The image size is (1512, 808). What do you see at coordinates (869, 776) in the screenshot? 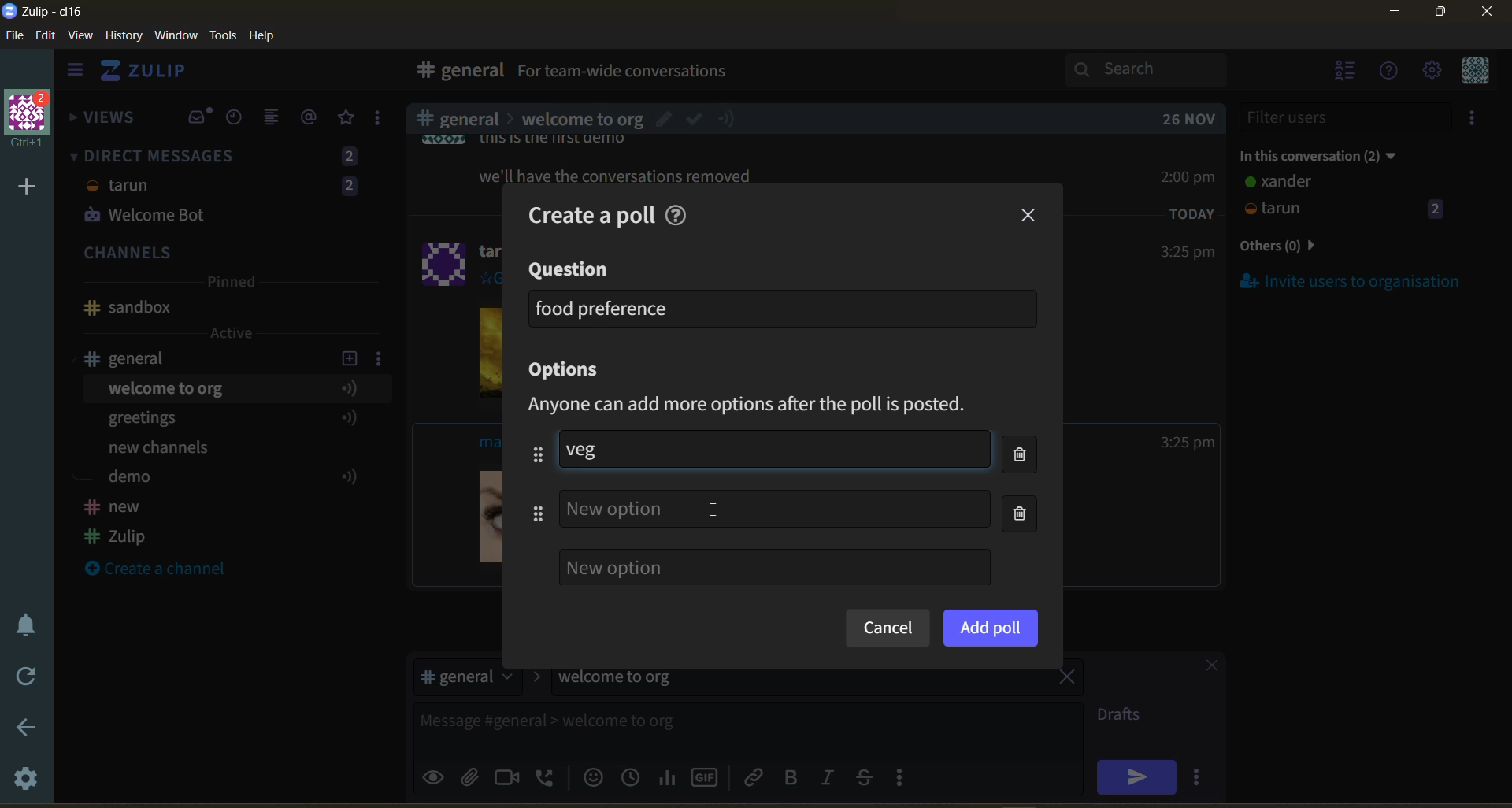
I see `strikethrough` at bounding box center [869, 776].